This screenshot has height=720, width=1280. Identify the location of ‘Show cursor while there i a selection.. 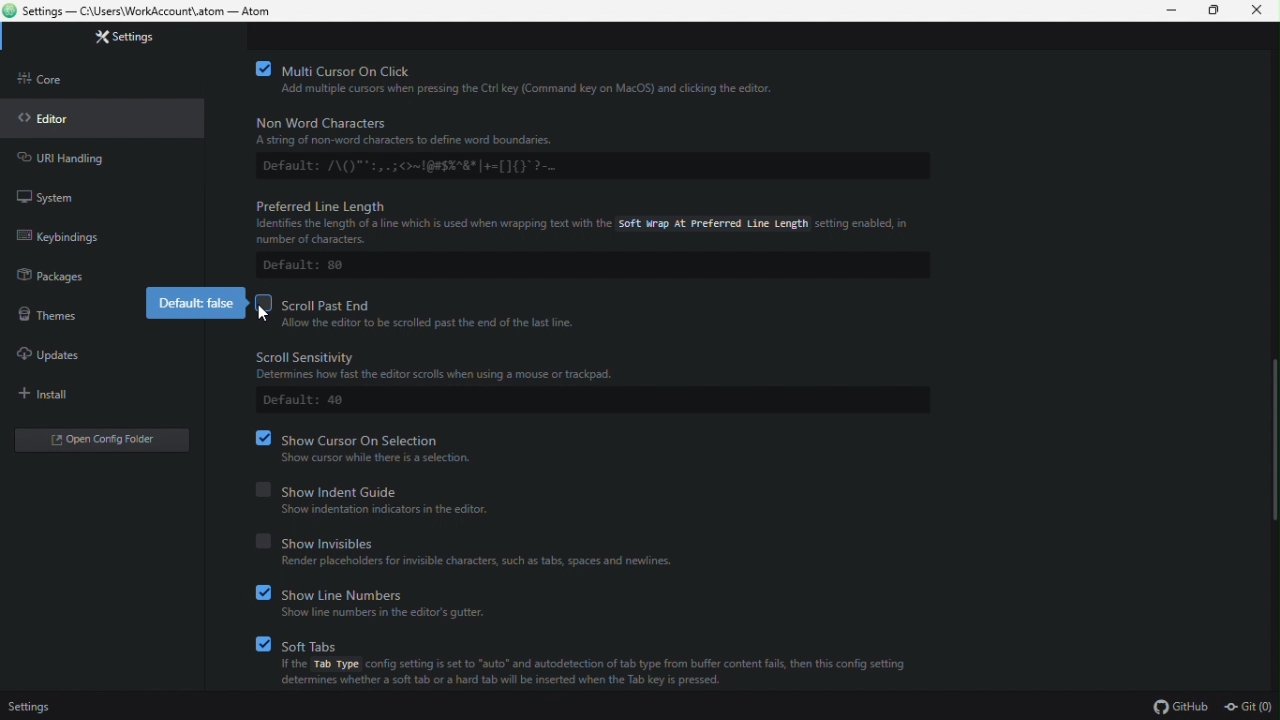
(381, 458).